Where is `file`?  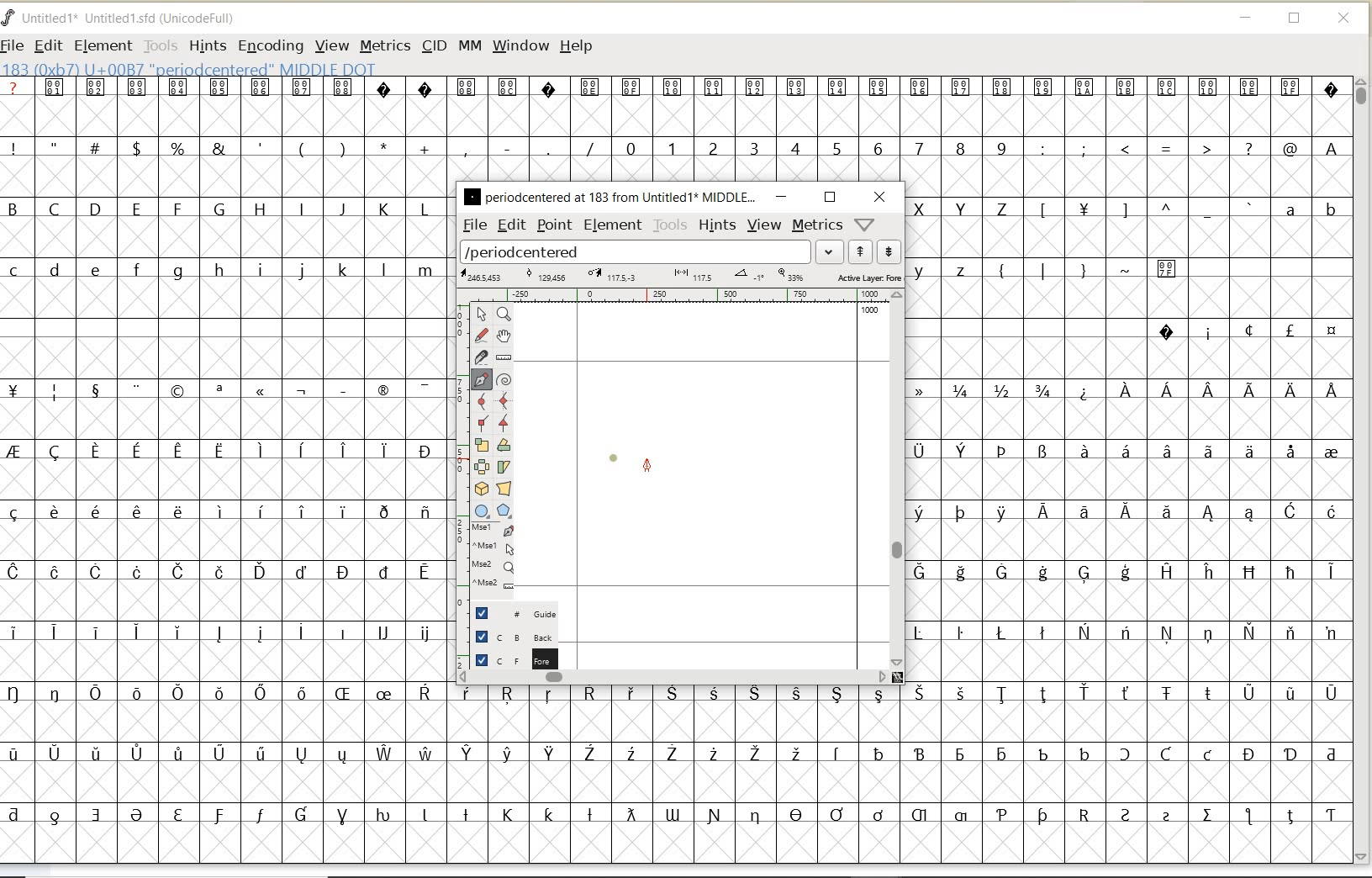 file is located at coordinates (472, 225).